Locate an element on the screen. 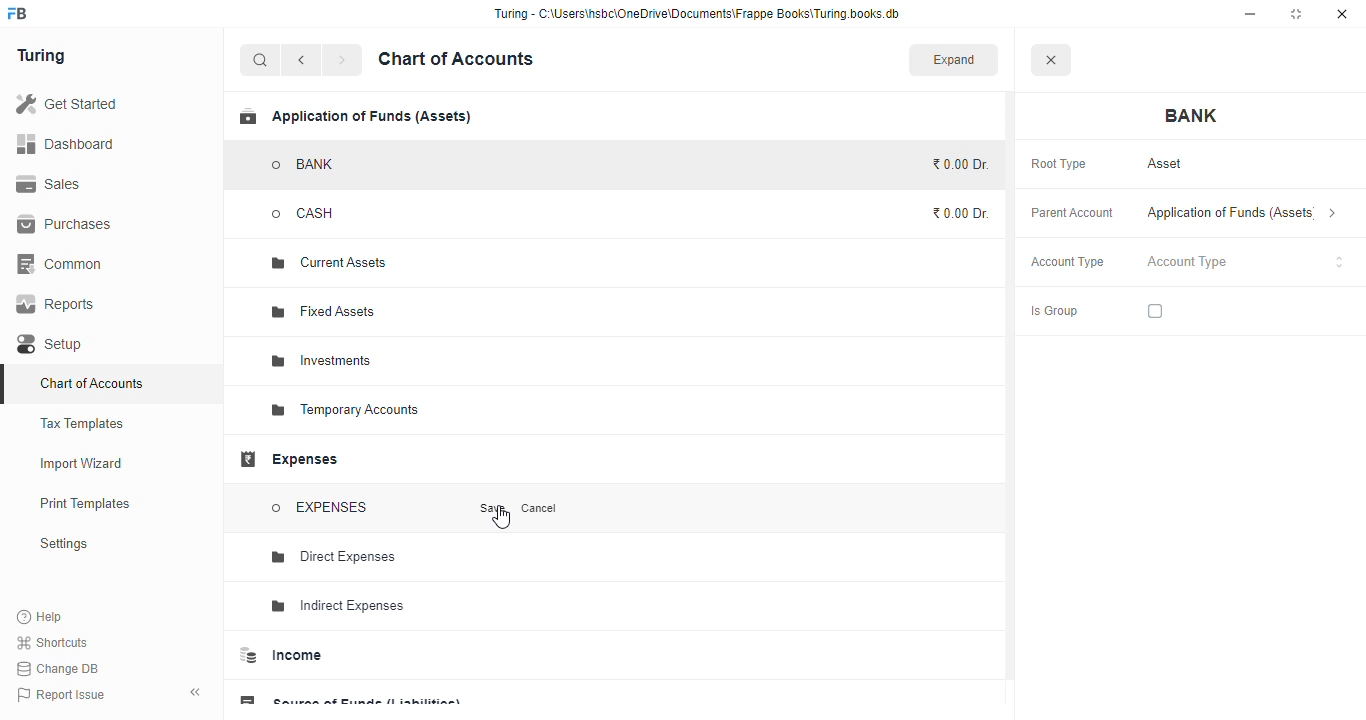 This screenshot has height=720, width=1366. close is located at coordinates (1342, 14).